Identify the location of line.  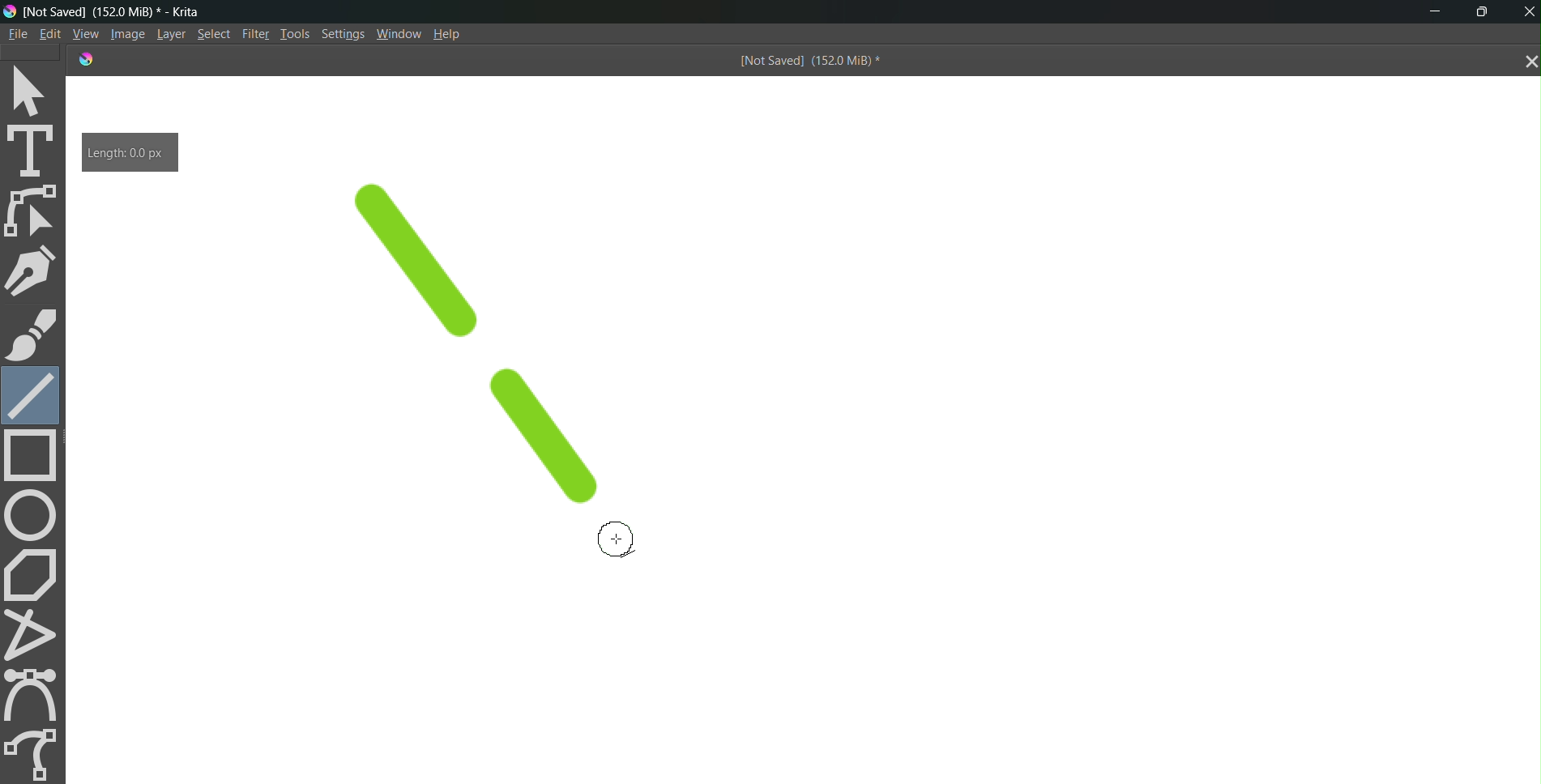
(561, 439).